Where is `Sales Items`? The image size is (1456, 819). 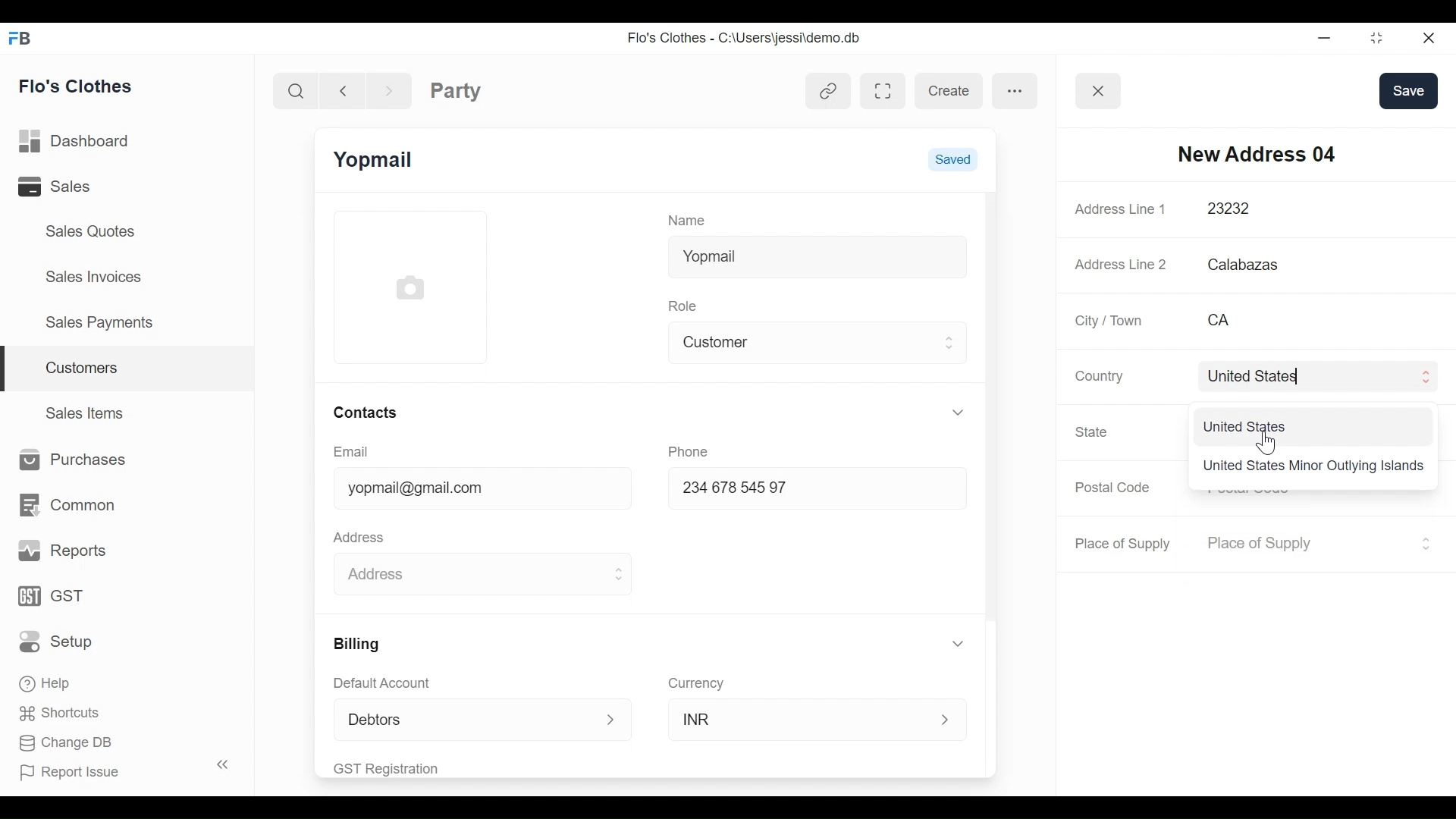 Sales Items is located at coordinates (86, 411).